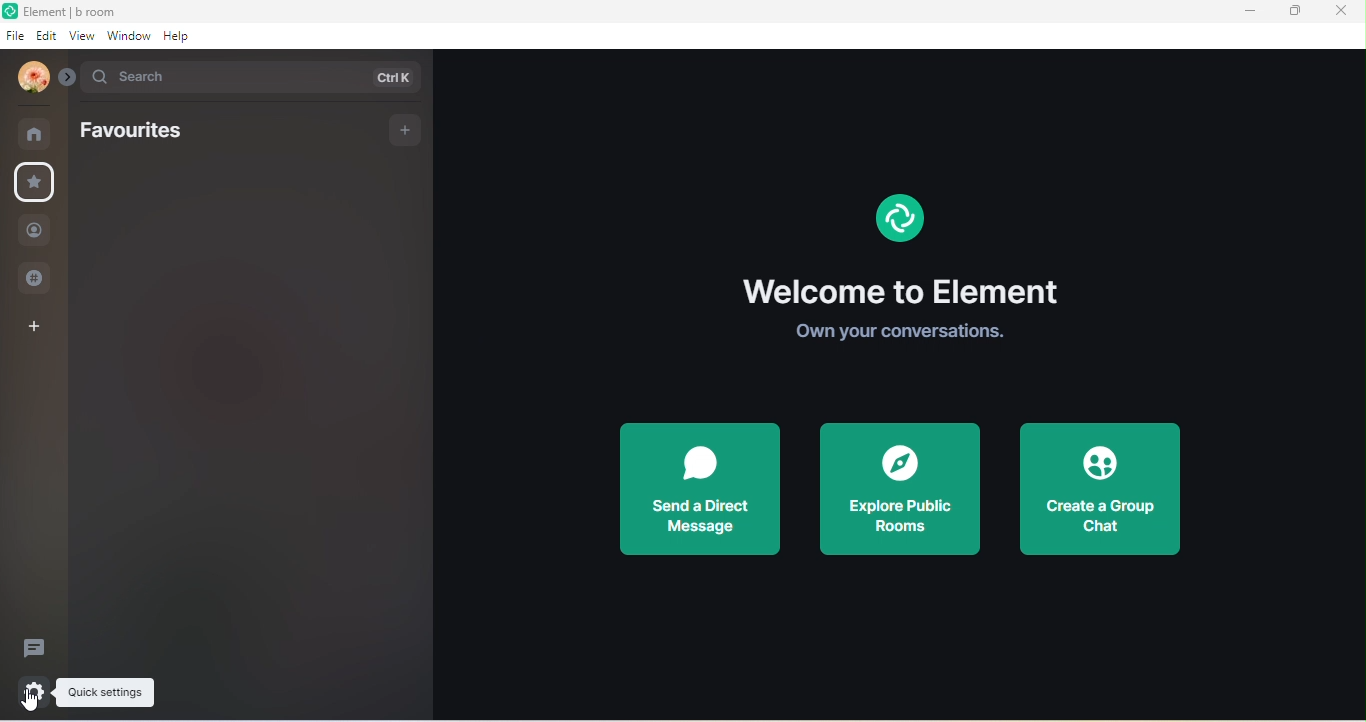 The width and height of the screenshot is (1366, 722). I want to click on view, so click(85, 37).